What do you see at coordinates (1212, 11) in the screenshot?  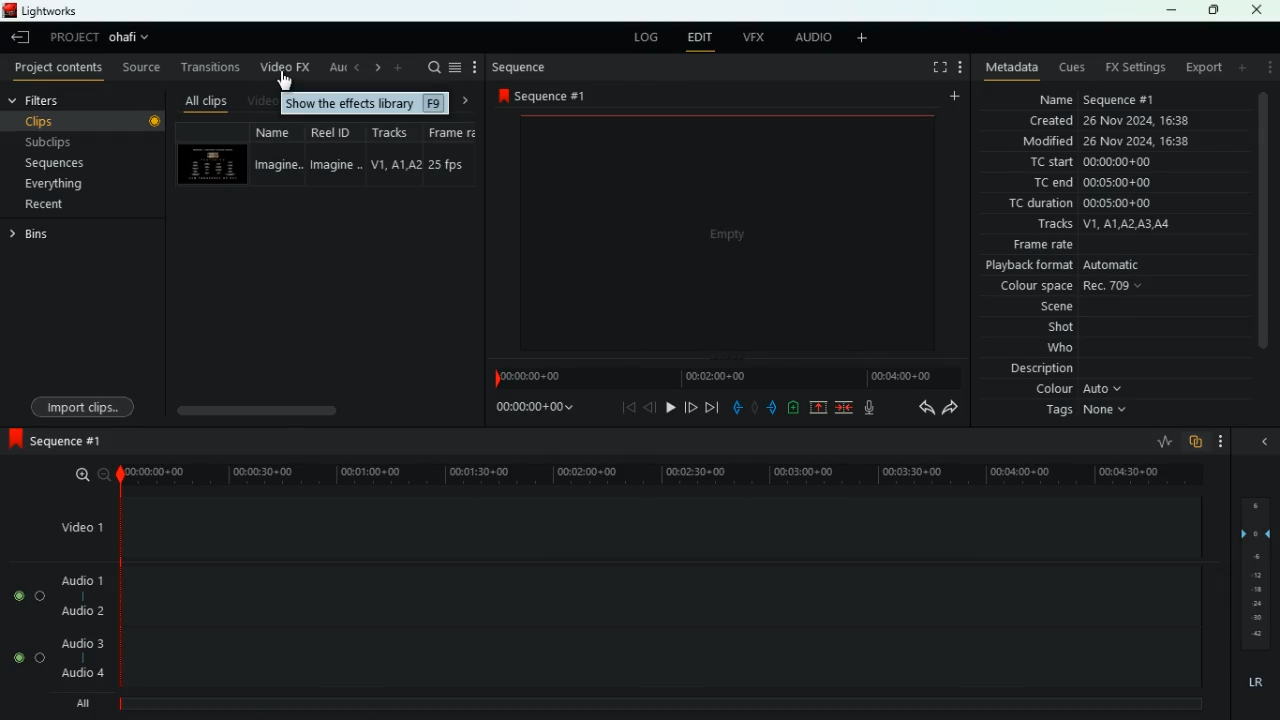 I see `maximize` at bounding box center [1212, 11].